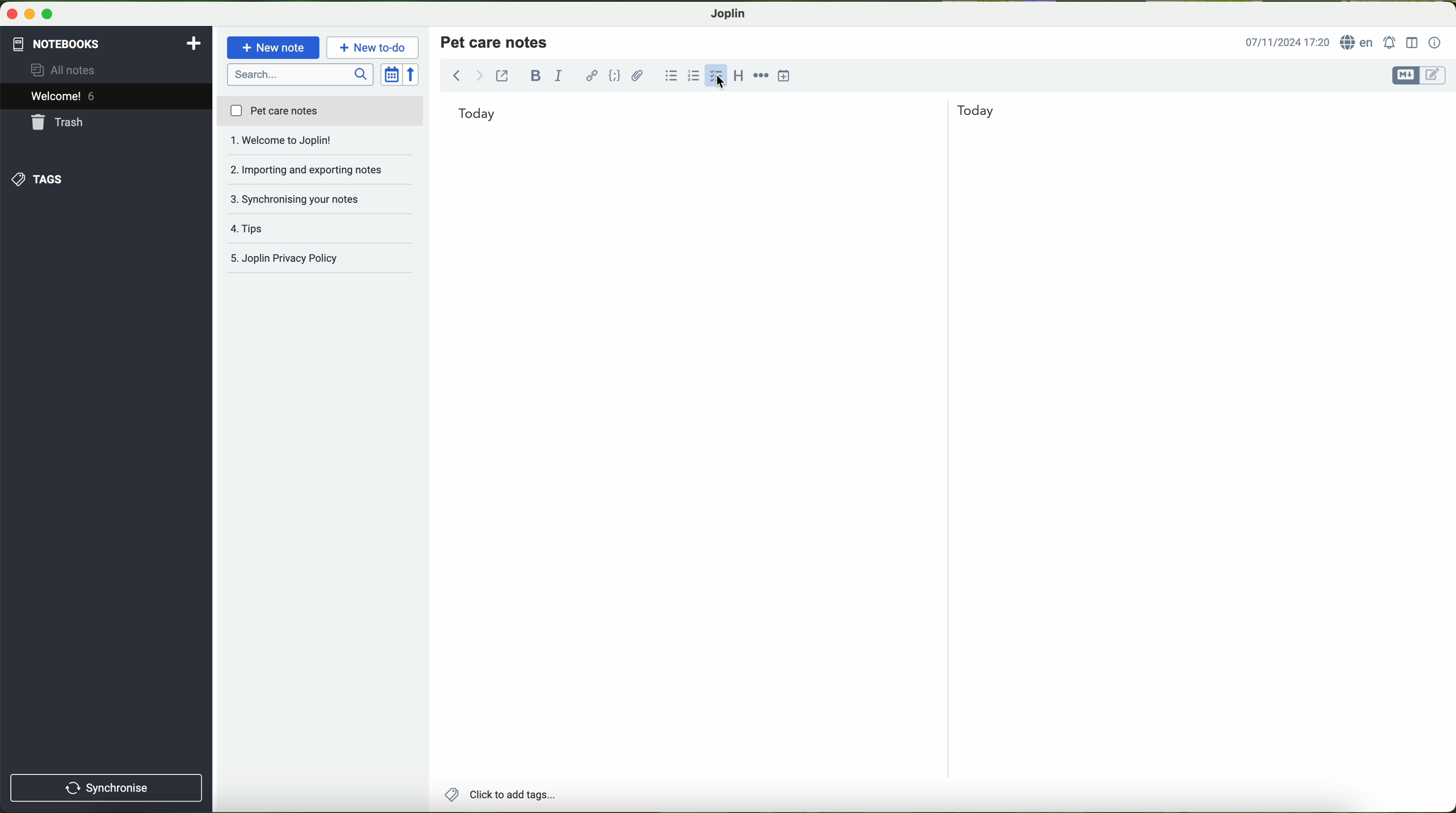 The image size is (1456, 813). What do you see at coordinates (1418, 76) in the screenshot?
I see `toggle editors` at bounding box center [1418, 76].